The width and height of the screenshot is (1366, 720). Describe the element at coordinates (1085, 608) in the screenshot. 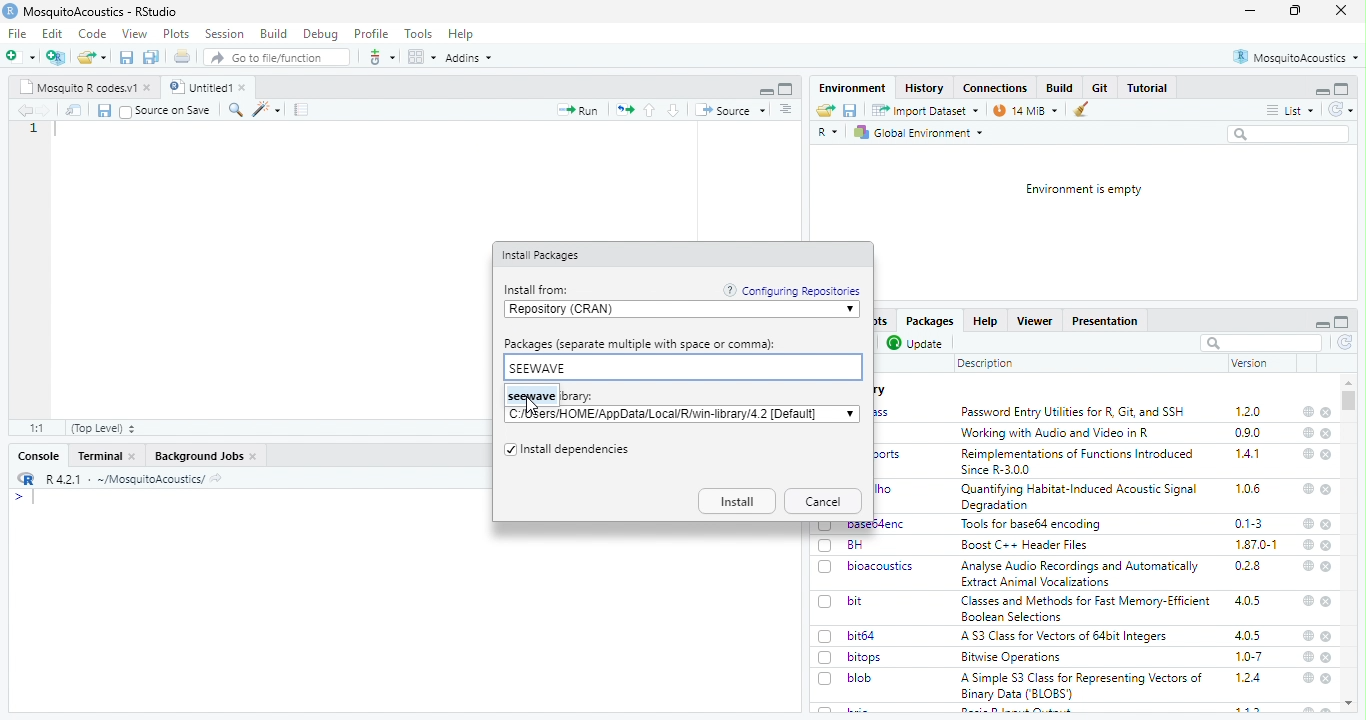

I see `Classes and Methods for Fast Memory-Efficient
[rrr —` at that location.